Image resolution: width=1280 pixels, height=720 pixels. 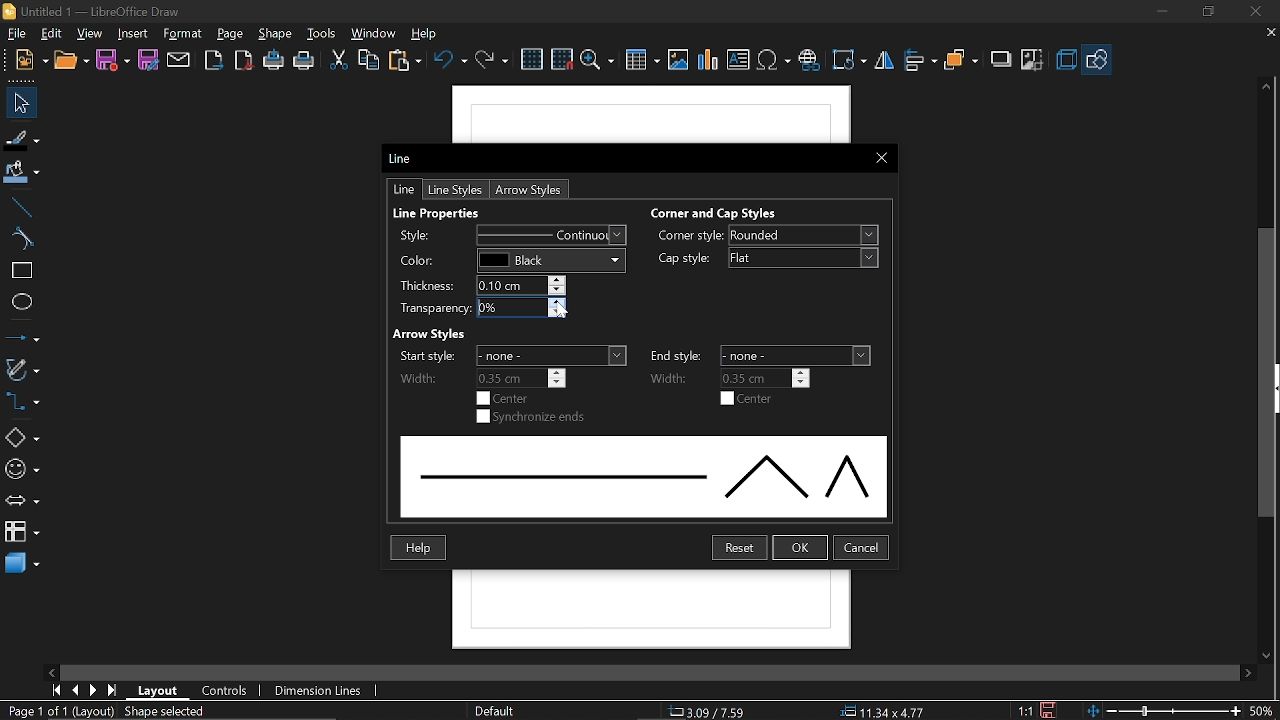 I want to click on help, so click(x=424, y=33).